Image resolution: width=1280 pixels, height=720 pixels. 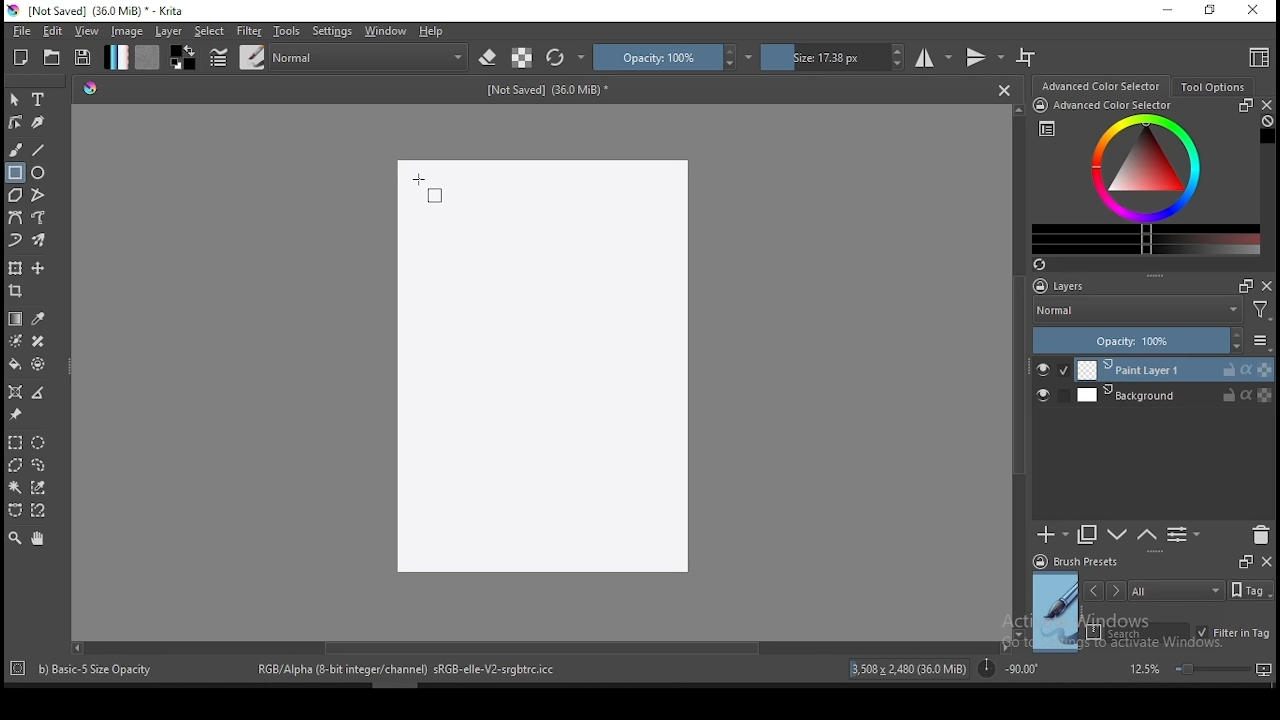 What do you see at coordinates (1267, 123) in the screenshot?
I see `Clear` at bounding box center [1267, 123].